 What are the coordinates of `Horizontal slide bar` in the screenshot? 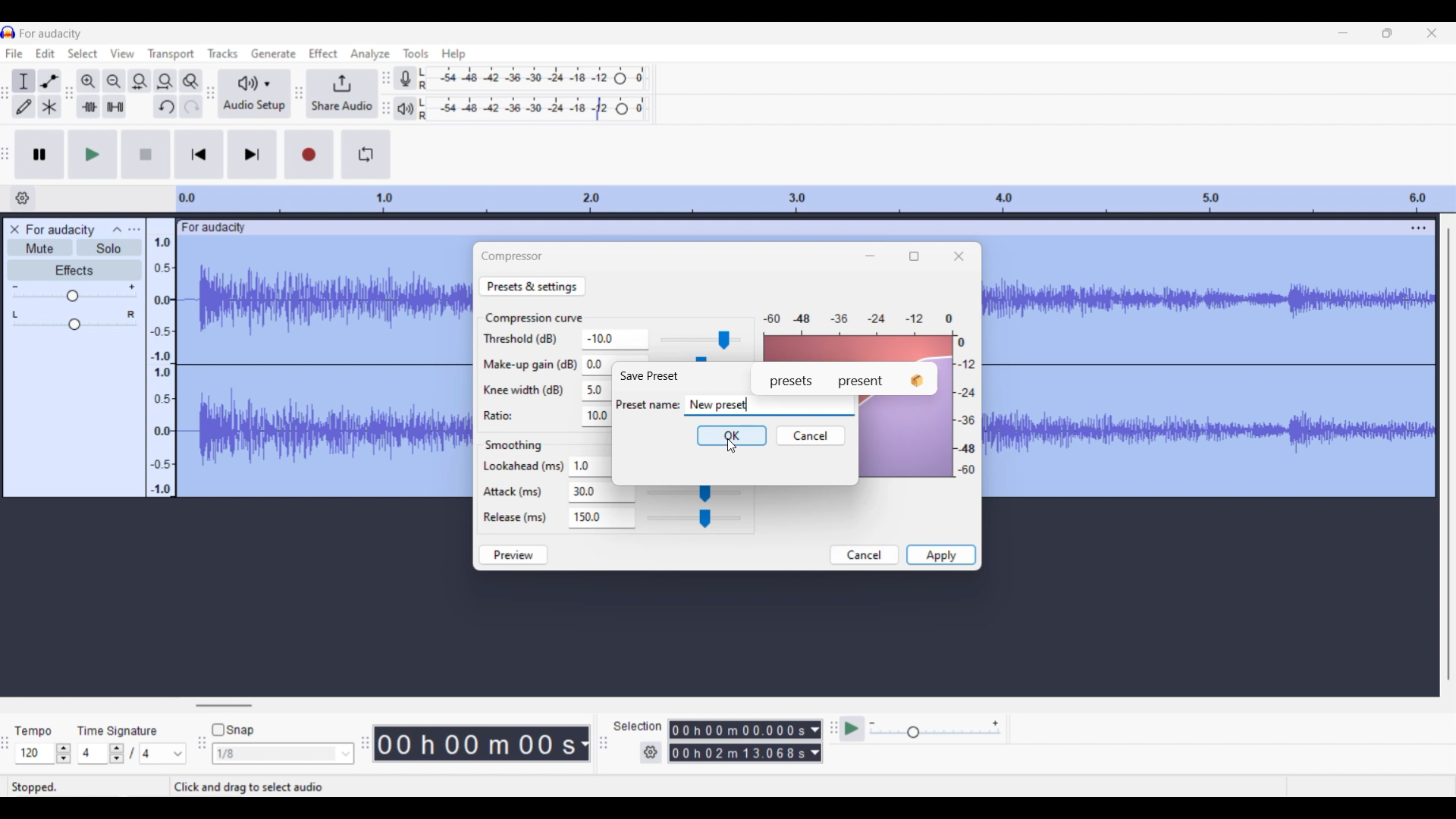 It's located at (224, 705).